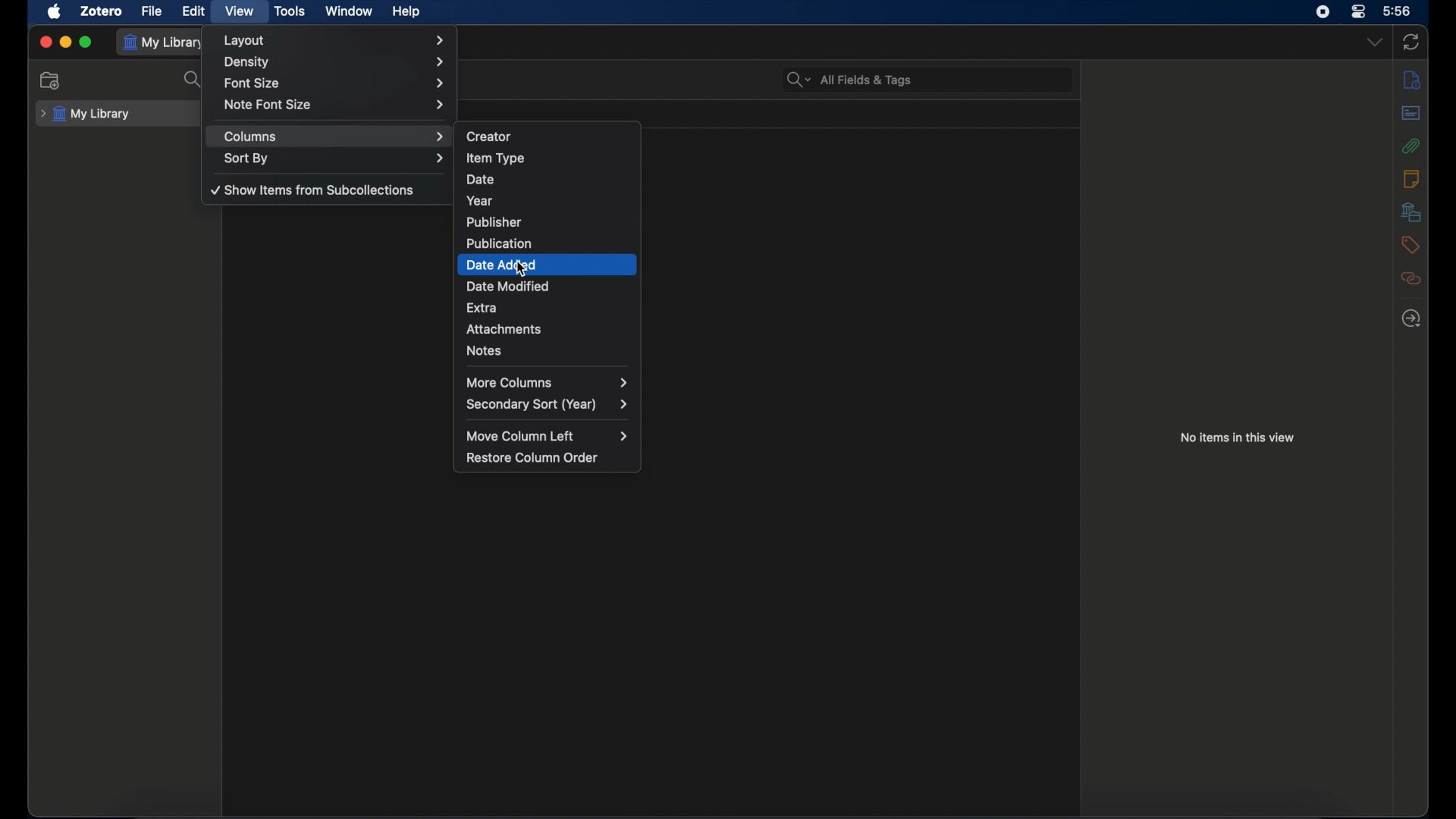 Image resolution: width=1456 pixels, height=819 pixels. Describe the element at coordinates (1412, 318) in the screenshot. I see `locate` at that location.